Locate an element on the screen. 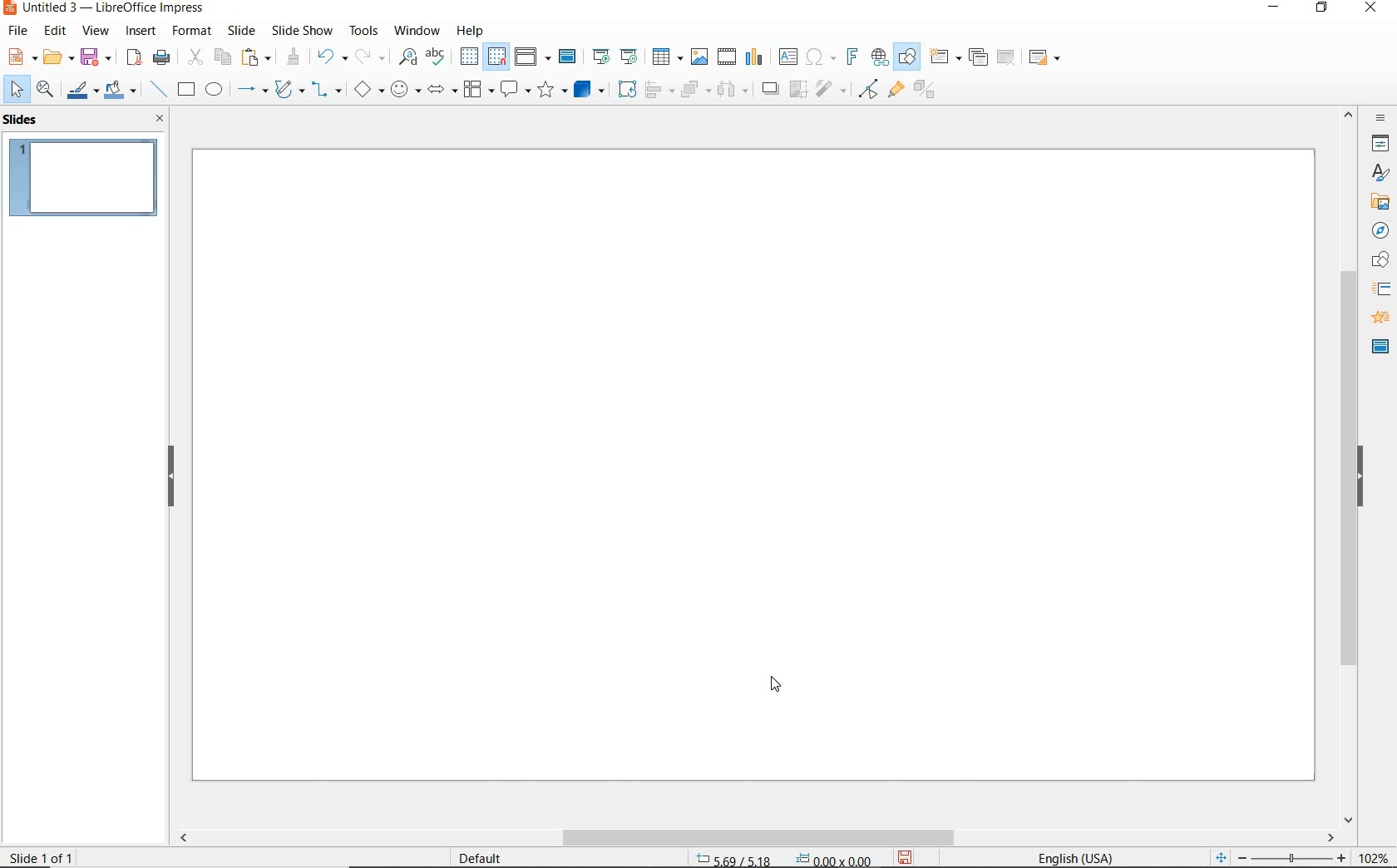 The width and height of the screenshot is (1397, 868). TEXT LANGUAGE is located at coordinates (1076, 856).